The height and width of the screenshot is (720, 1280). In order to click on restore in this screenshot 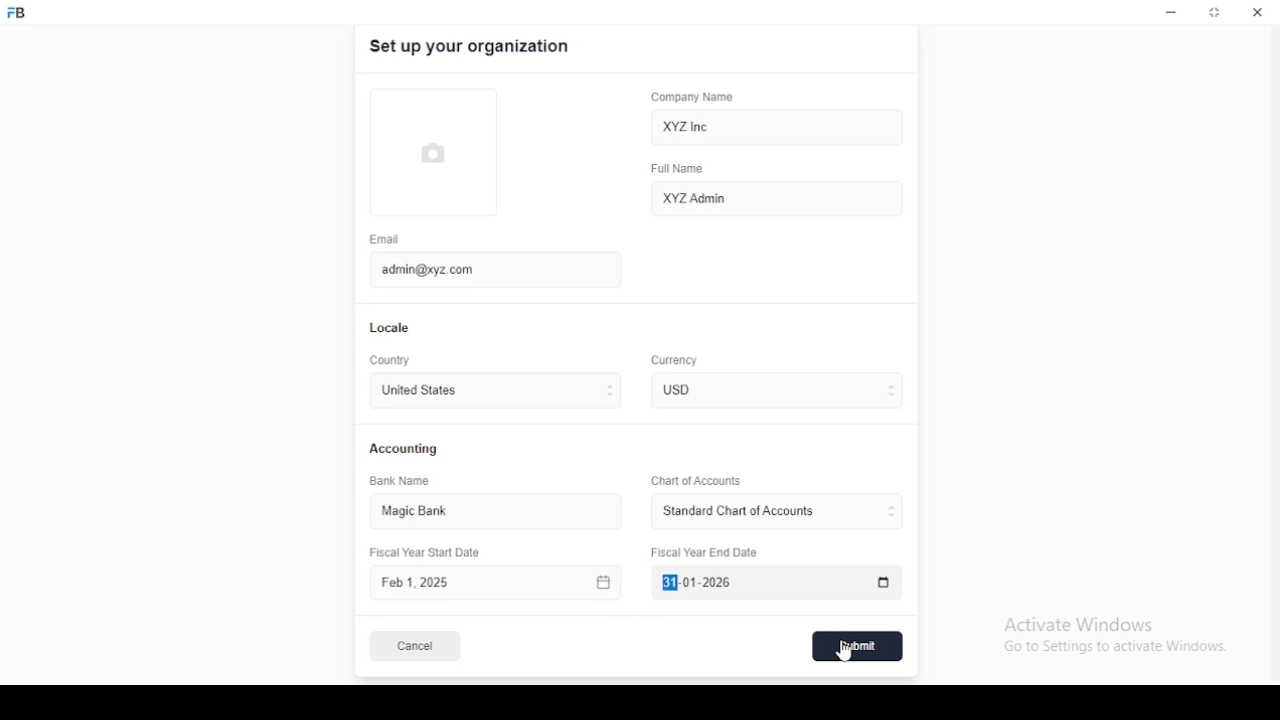, I will do `click(1216, 14)`.